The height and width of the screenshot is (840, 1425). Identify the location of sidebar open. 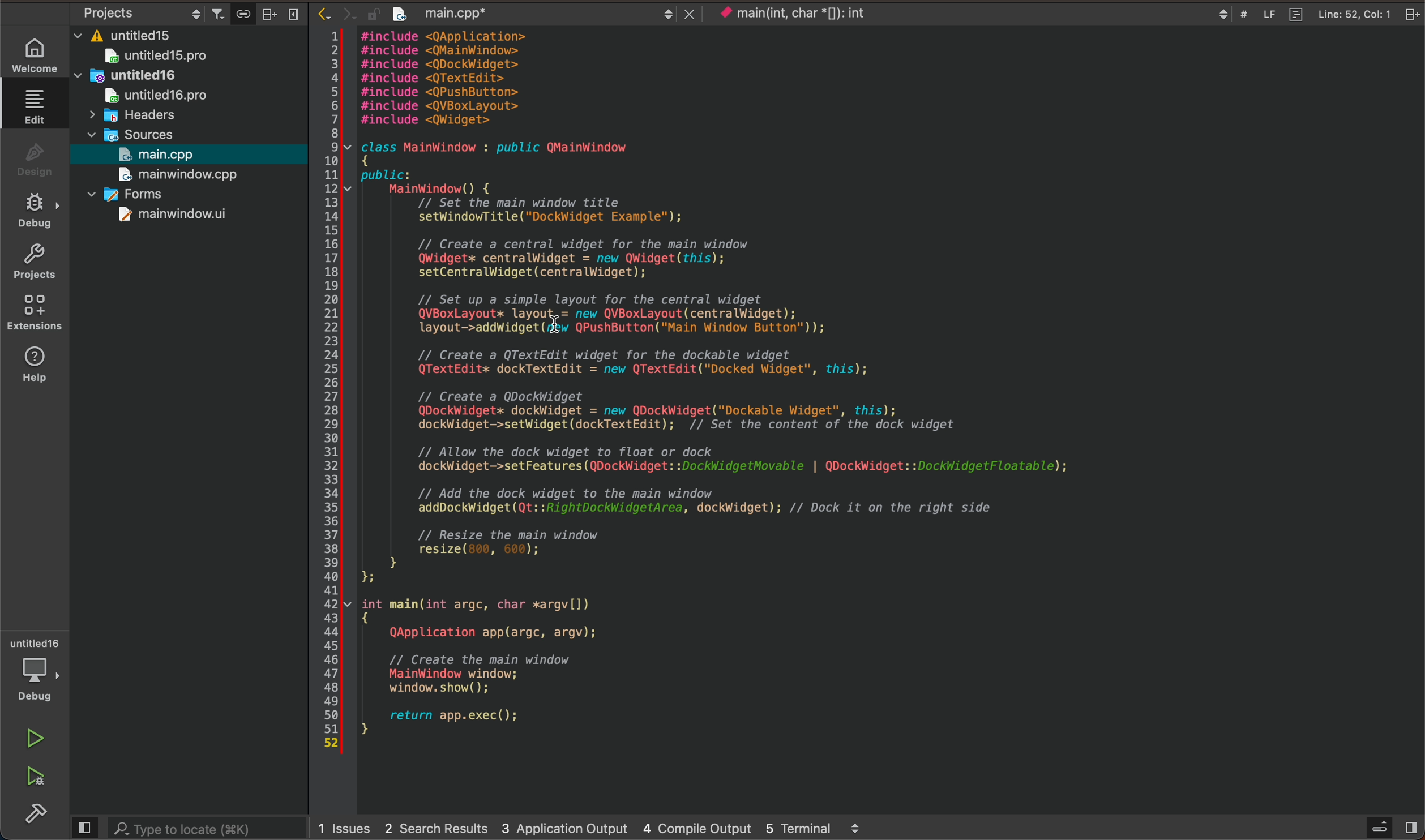
(1389, 826).